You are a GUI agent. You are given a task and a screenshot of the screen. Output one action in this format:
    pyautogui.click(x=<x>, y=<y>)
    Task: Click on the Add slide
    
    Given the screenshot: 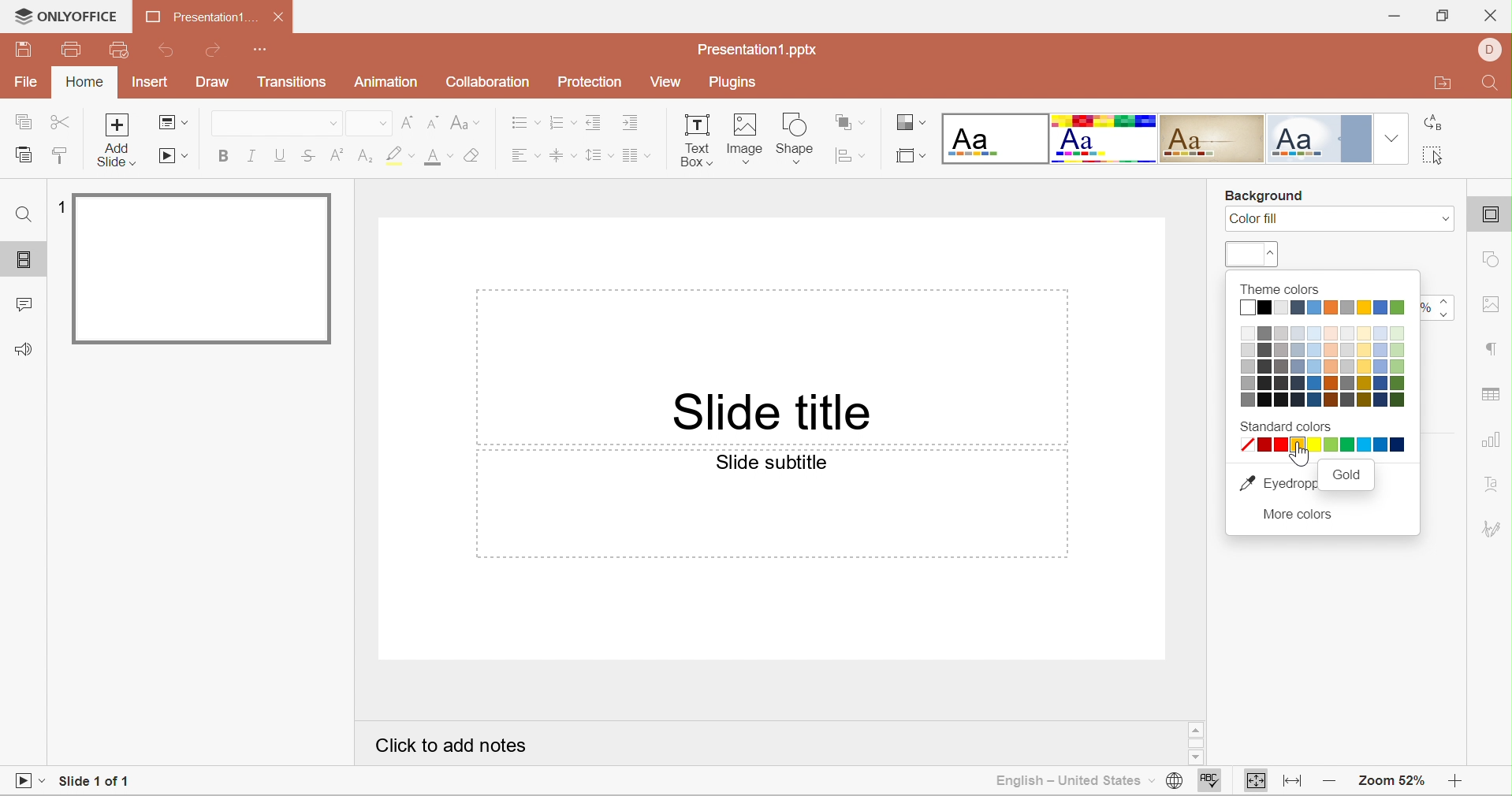 What is the action you would take?
    pyautogui.click(x=117, y=125)
    